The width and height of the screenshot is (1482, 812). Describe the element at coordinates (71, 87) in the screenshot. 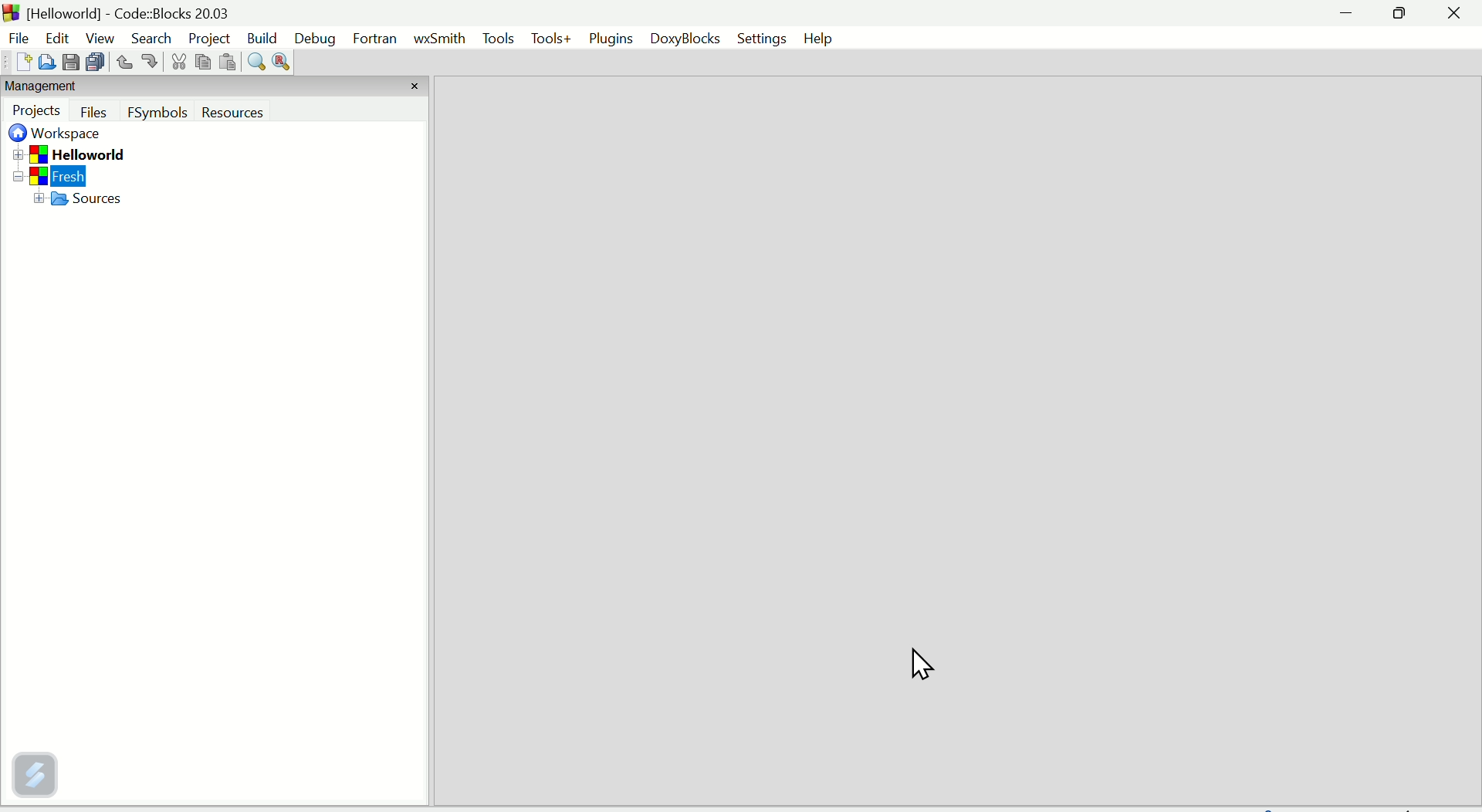

I see `Management` at that location.